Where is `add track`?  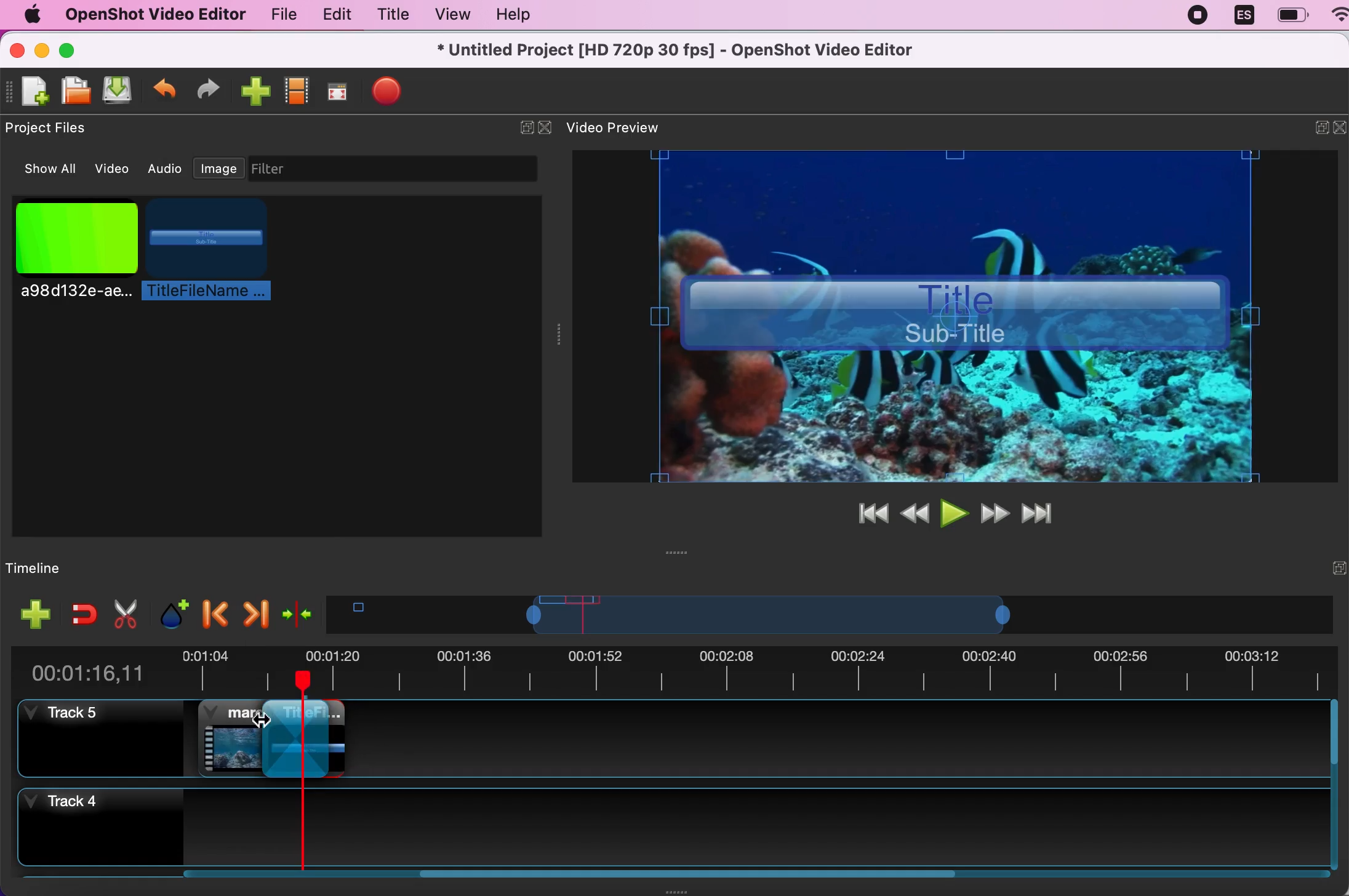 add track is located at coordinates (33, 614).